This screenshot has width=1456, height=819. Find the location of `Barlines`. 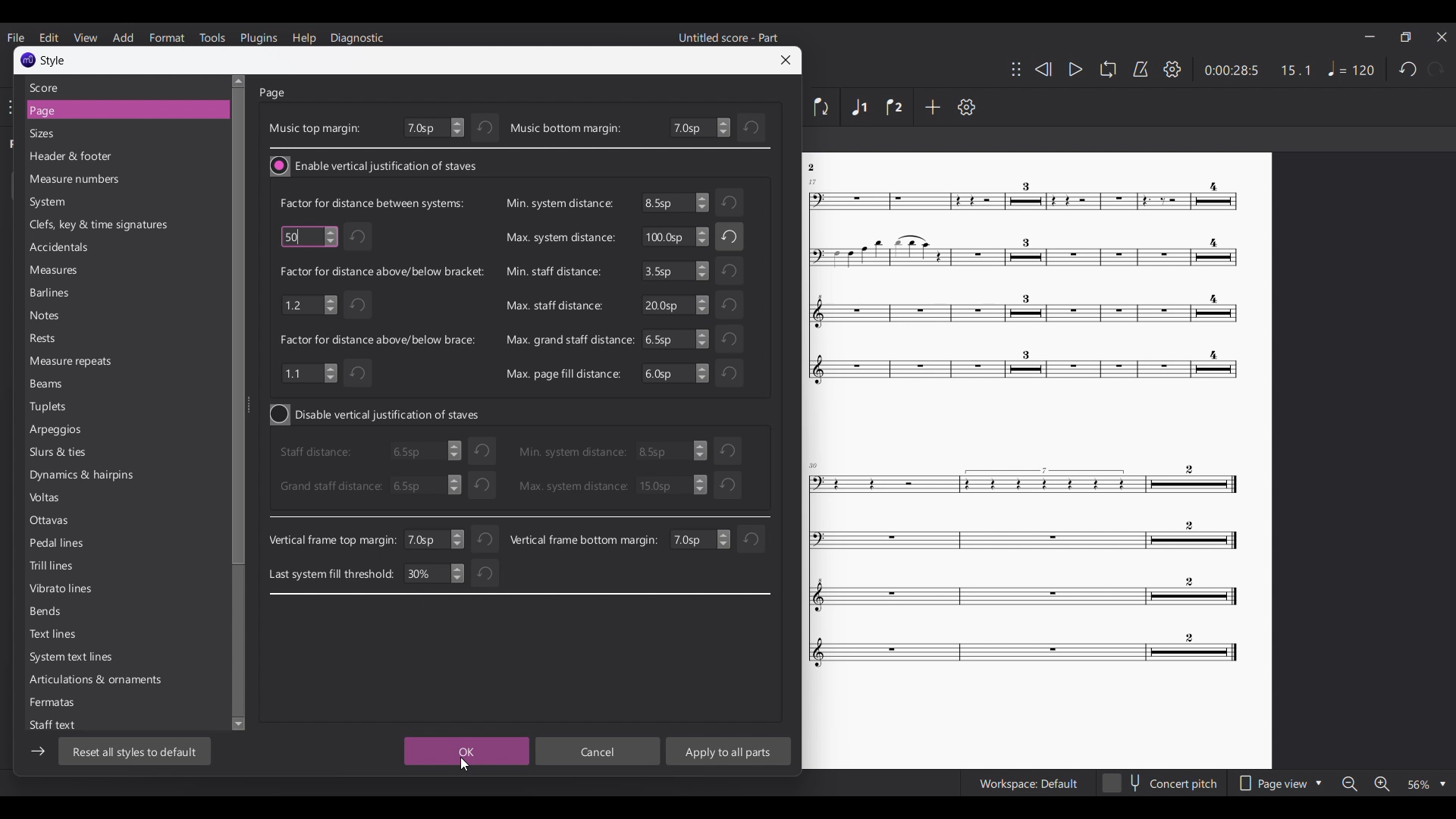

Barlines is located at coordinates (74, 293).